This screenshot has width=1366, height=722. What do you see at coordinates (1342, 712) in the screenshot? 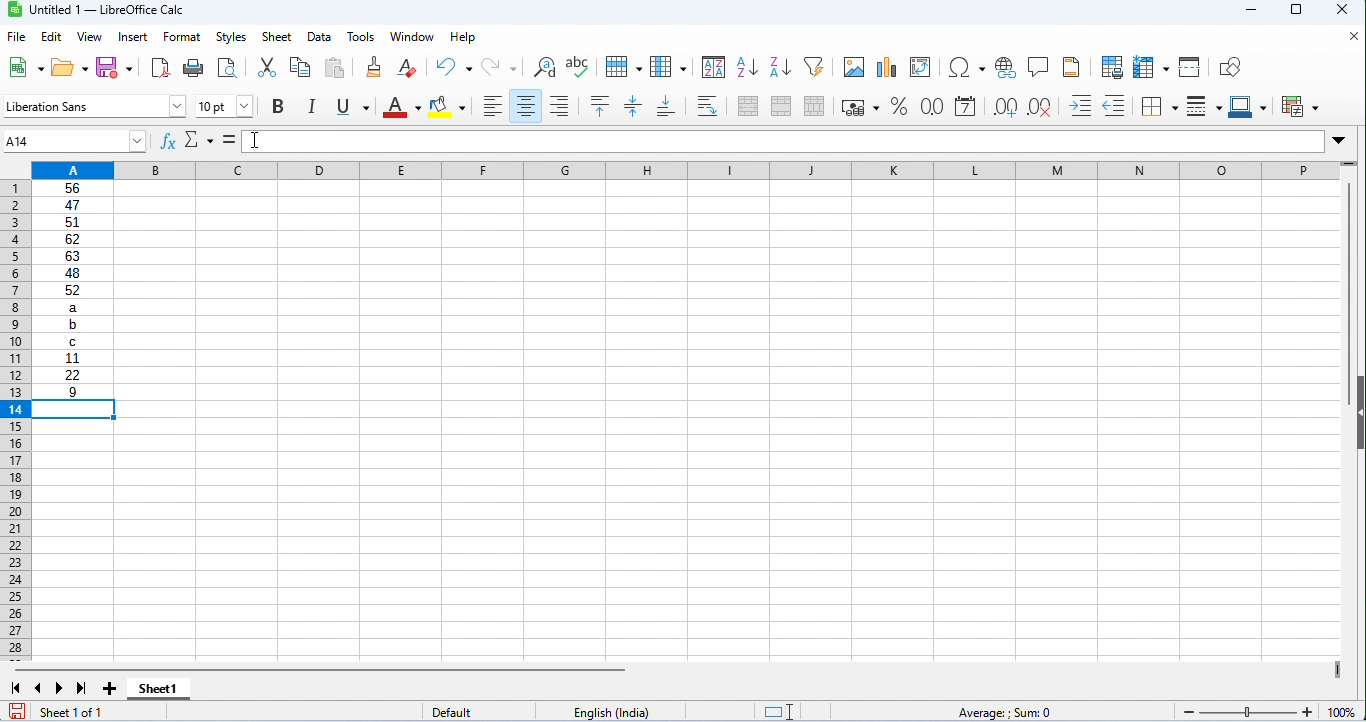
I see `100%` at bounding box center [1342, 712].